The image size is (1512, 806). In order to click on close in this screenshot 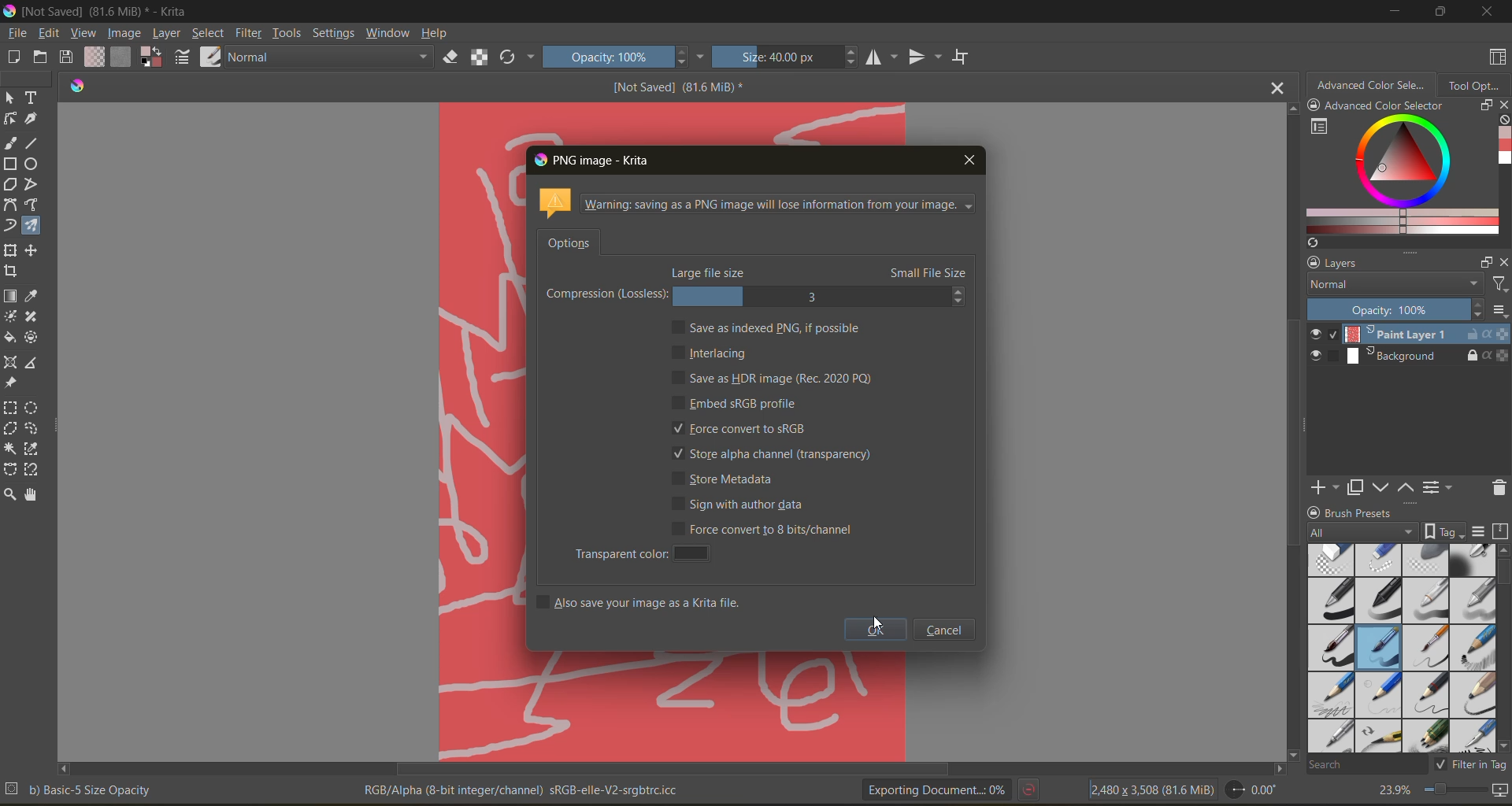, I will do `click(1503, 262)`.